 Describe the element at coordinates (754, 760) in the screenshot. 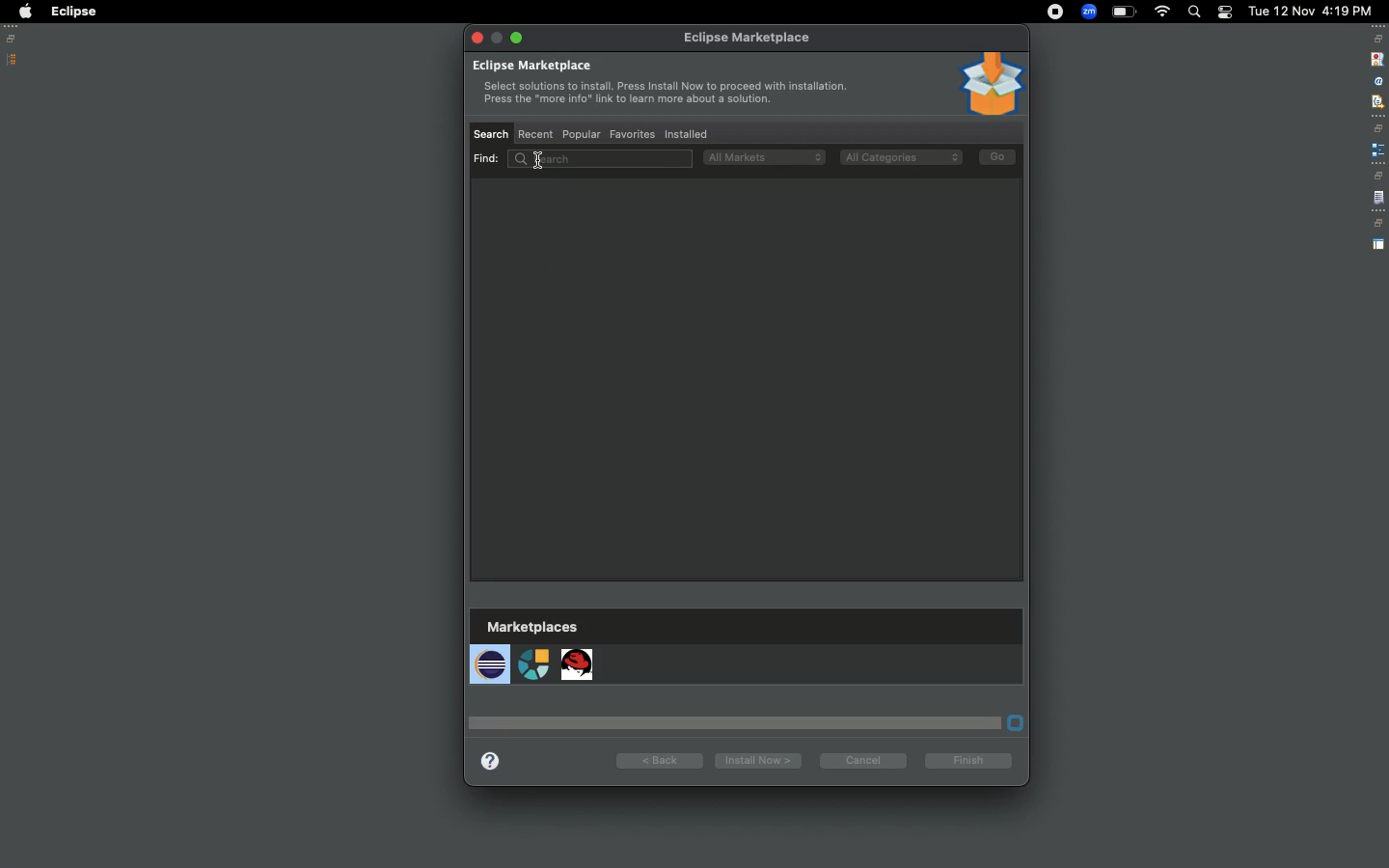

I see `Install now` at that location.